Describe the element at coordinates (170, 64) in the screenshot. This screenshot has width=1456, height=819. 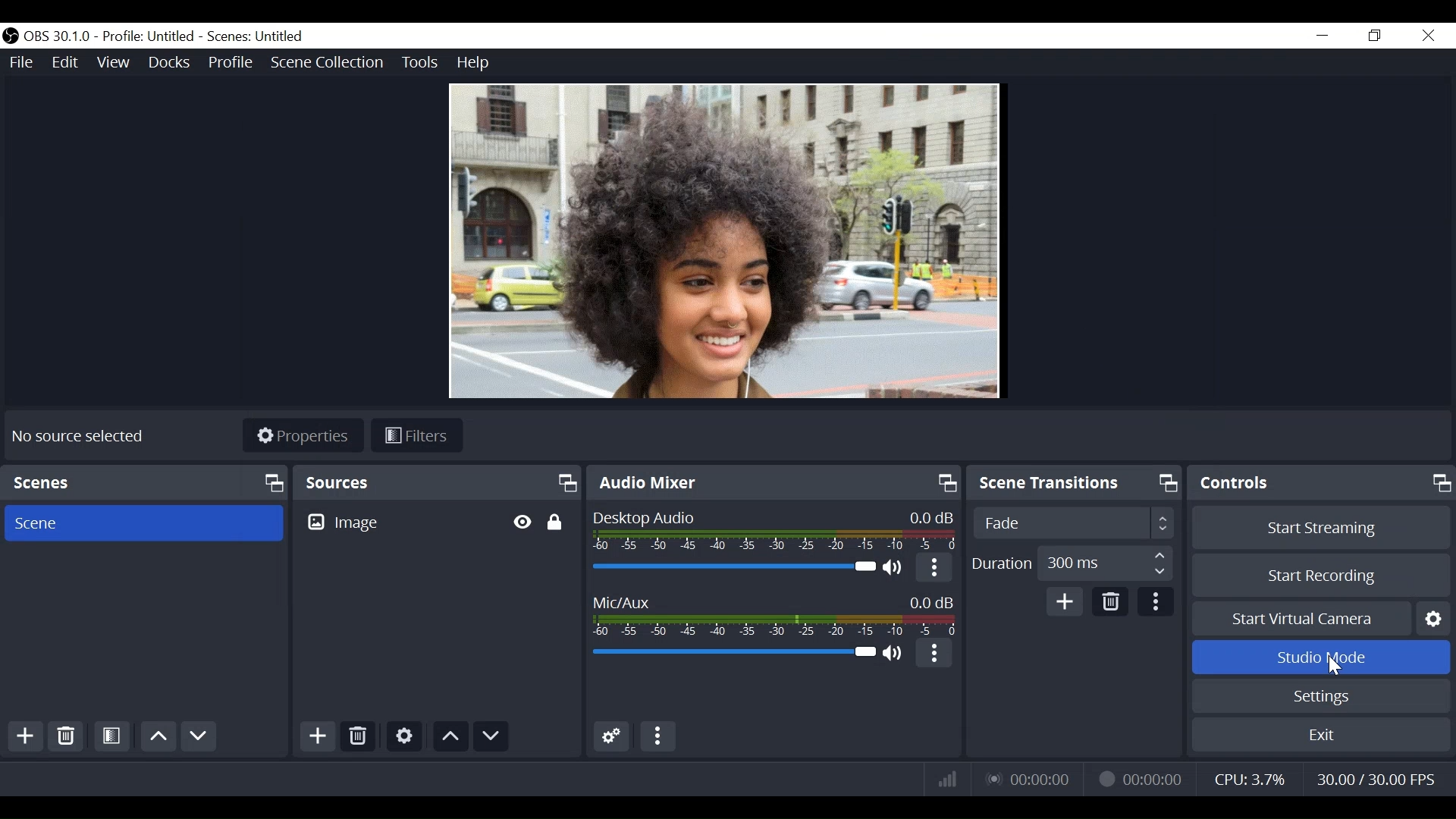
I see `Docks` at that location.